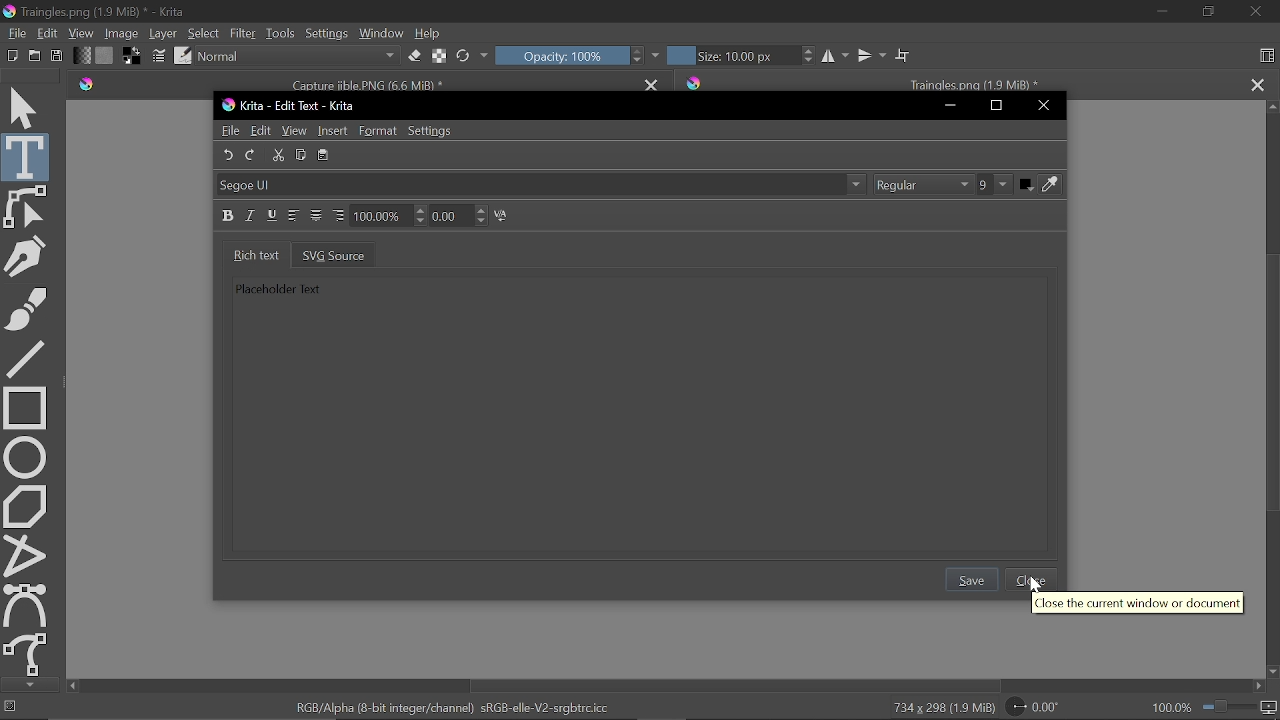  Describe the element at coordinates (229, 130) in the screenshot. I see `File` at that location.